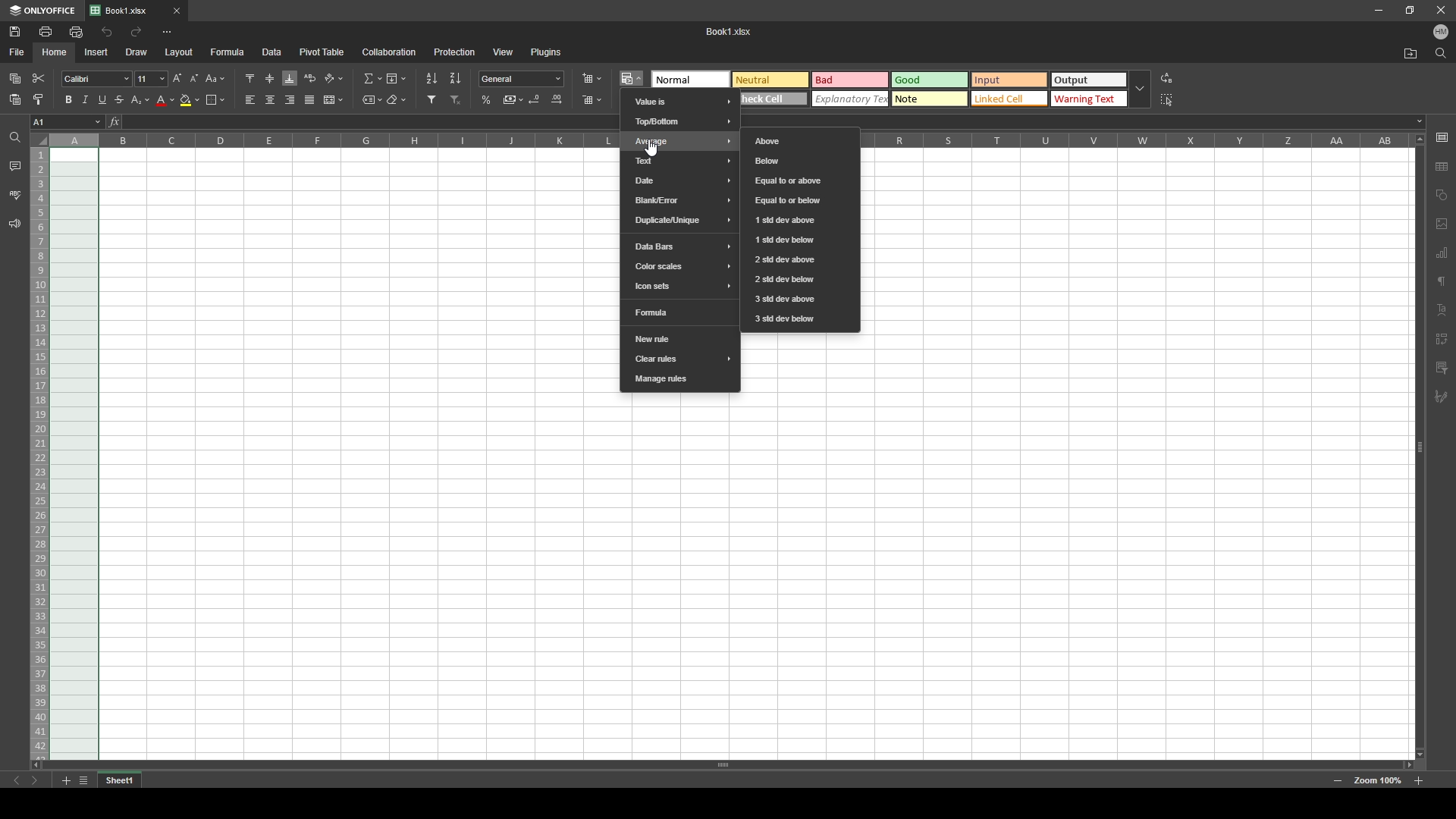 This screenshot has height=819, width=1456. I want to click on support, so click(14, 224).